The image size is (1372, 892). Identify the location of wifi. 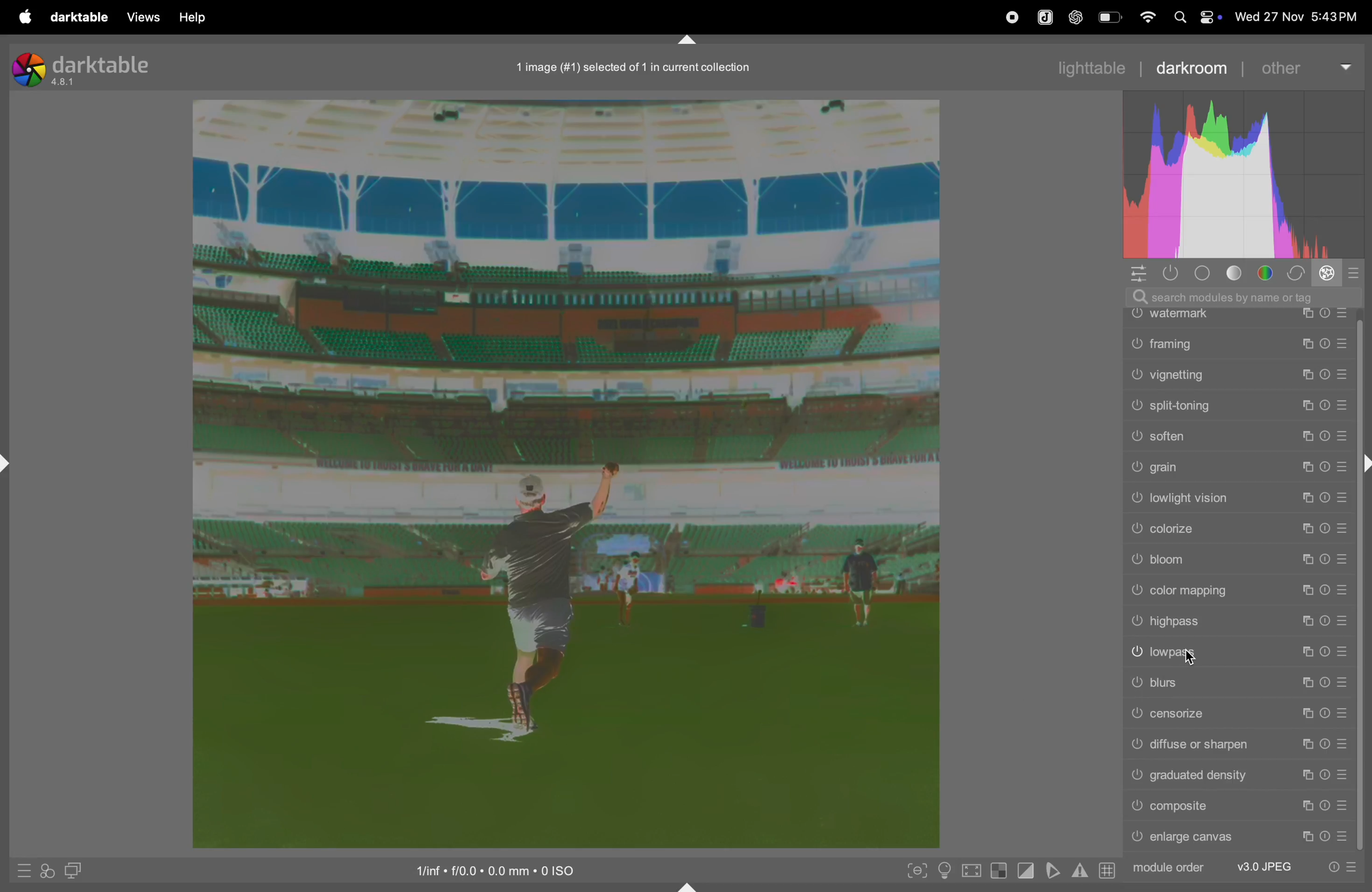
(1146, 17).